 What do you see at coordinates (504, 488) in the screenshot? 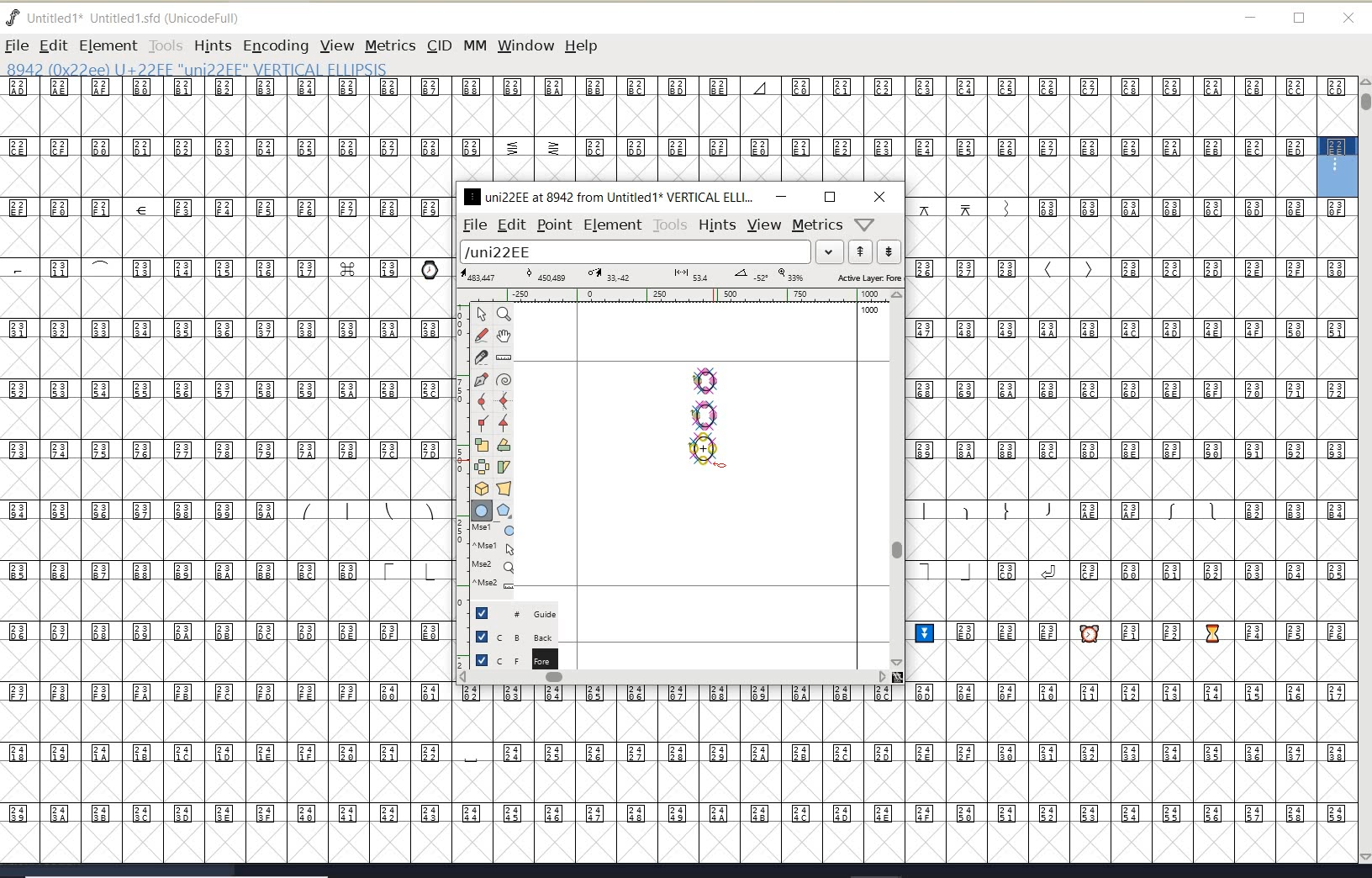
I see `perform a perspective transformation on the selection` at bounding box center [504, 488].